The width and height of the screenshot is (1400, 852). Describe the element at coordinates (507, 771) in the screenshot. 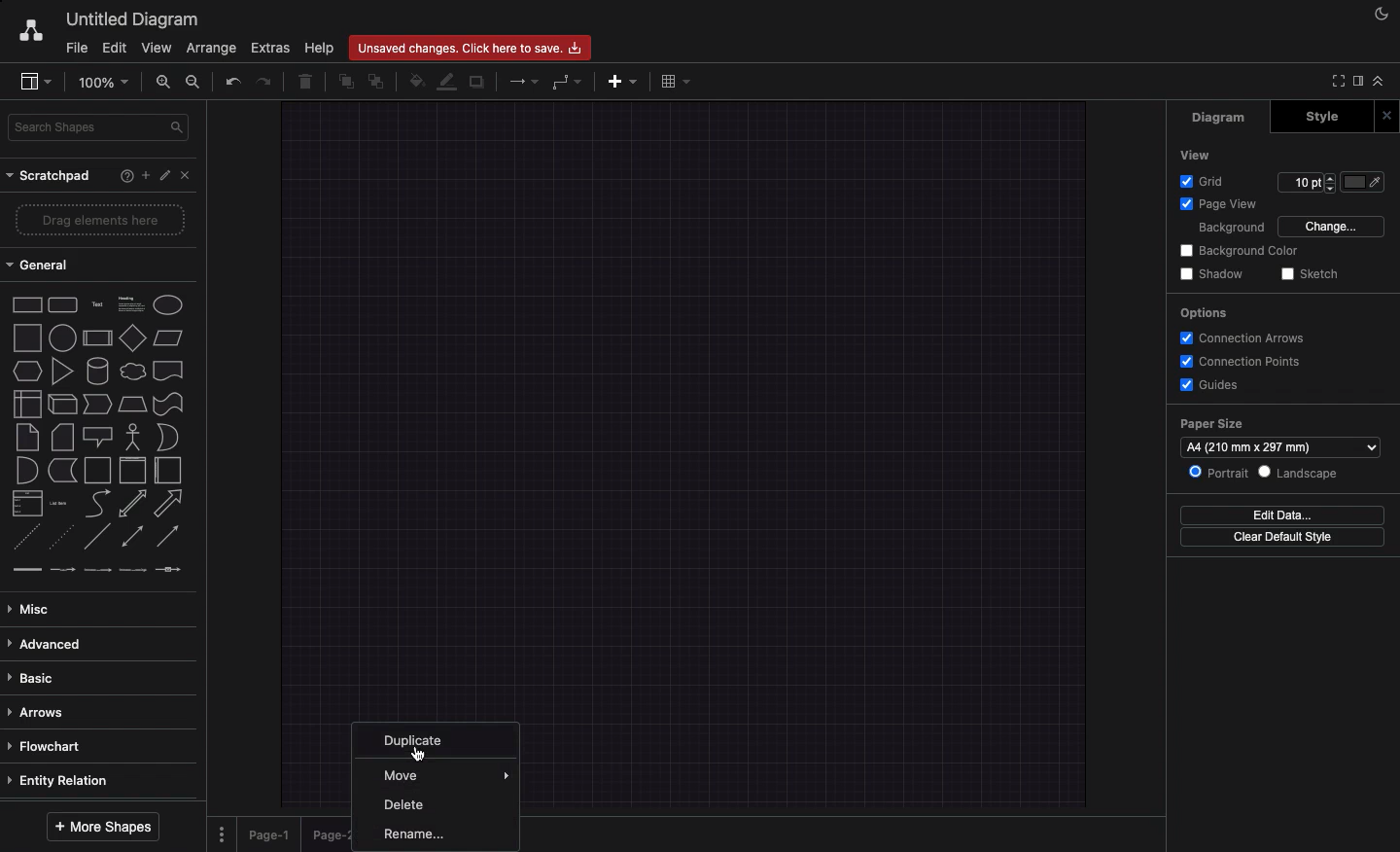

I see `more` at that location.